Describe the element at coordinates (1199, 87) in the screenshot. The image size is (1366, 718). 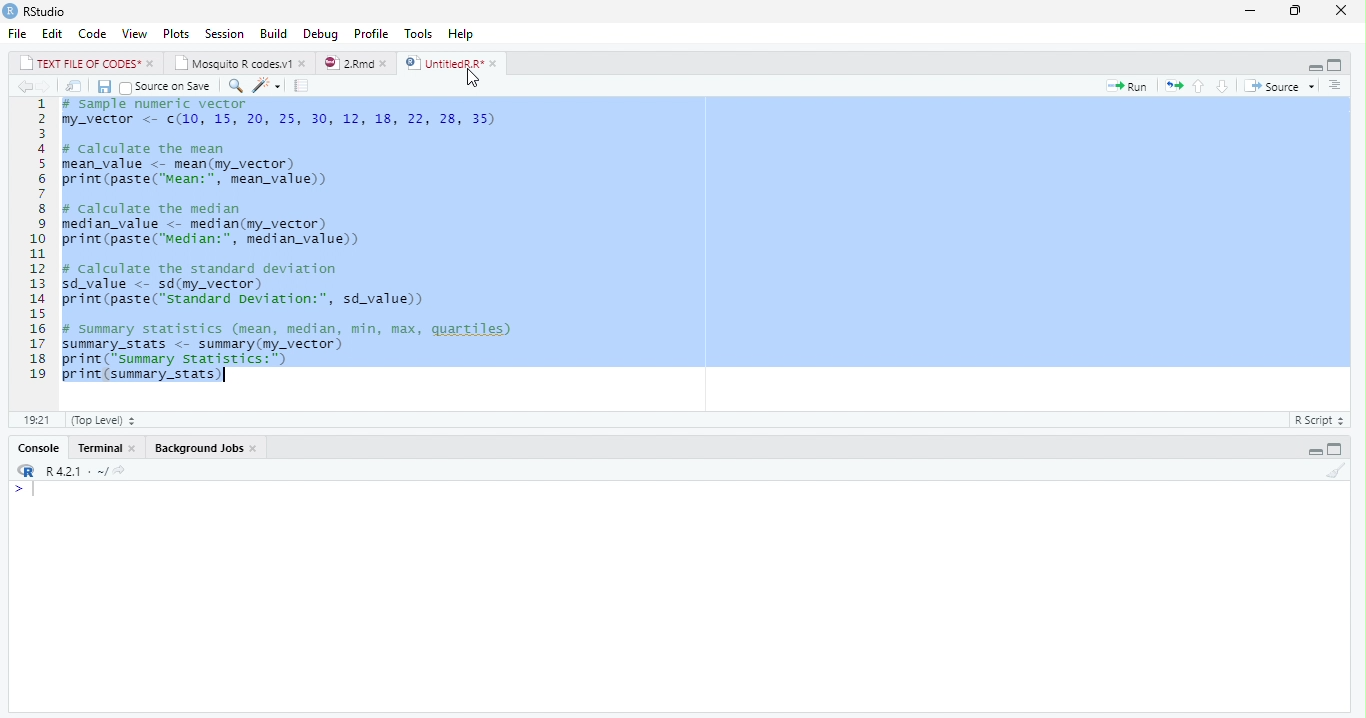
I see `previous section` at that location.